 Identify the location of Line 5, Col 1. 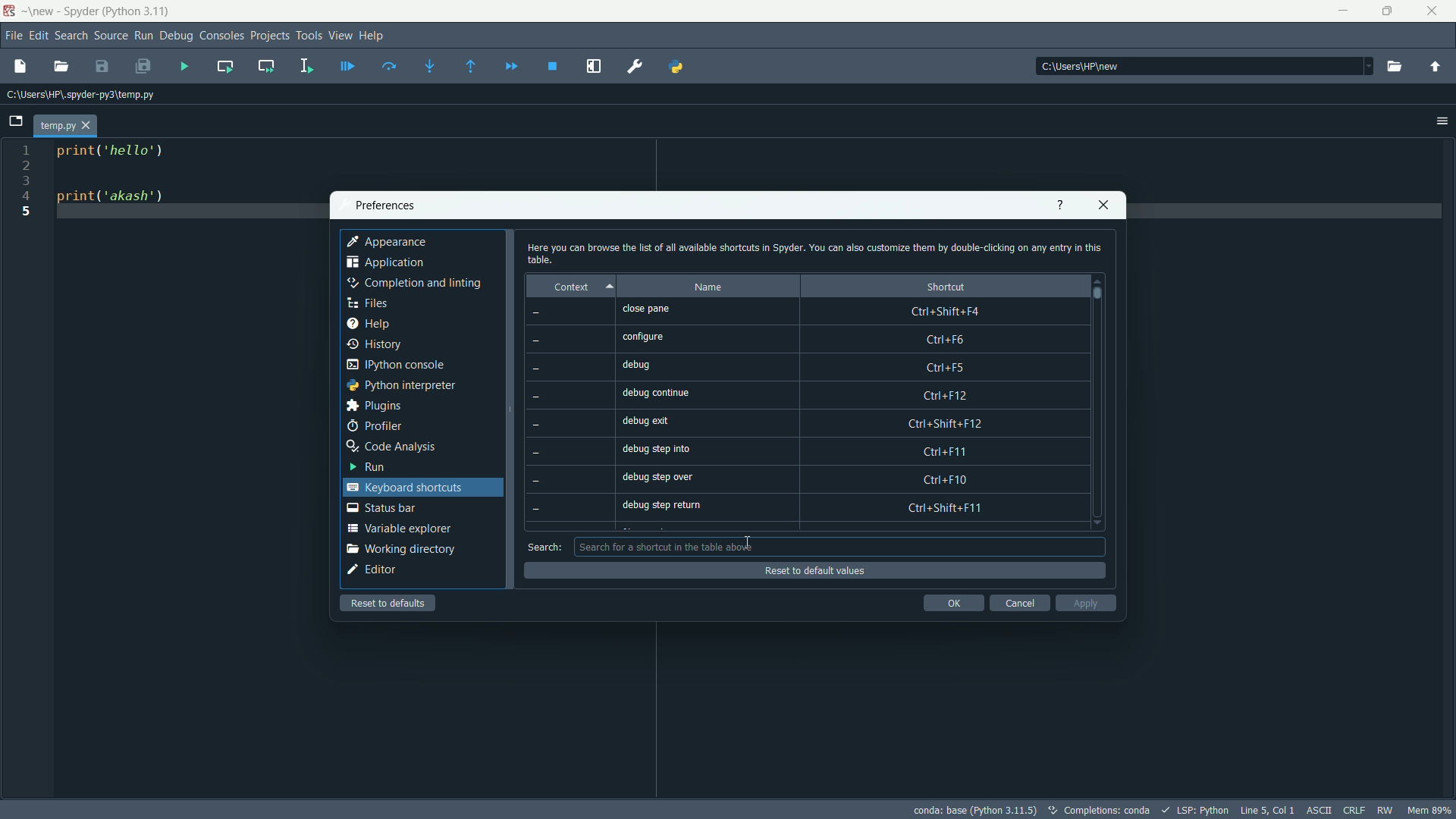
(1266, 808).